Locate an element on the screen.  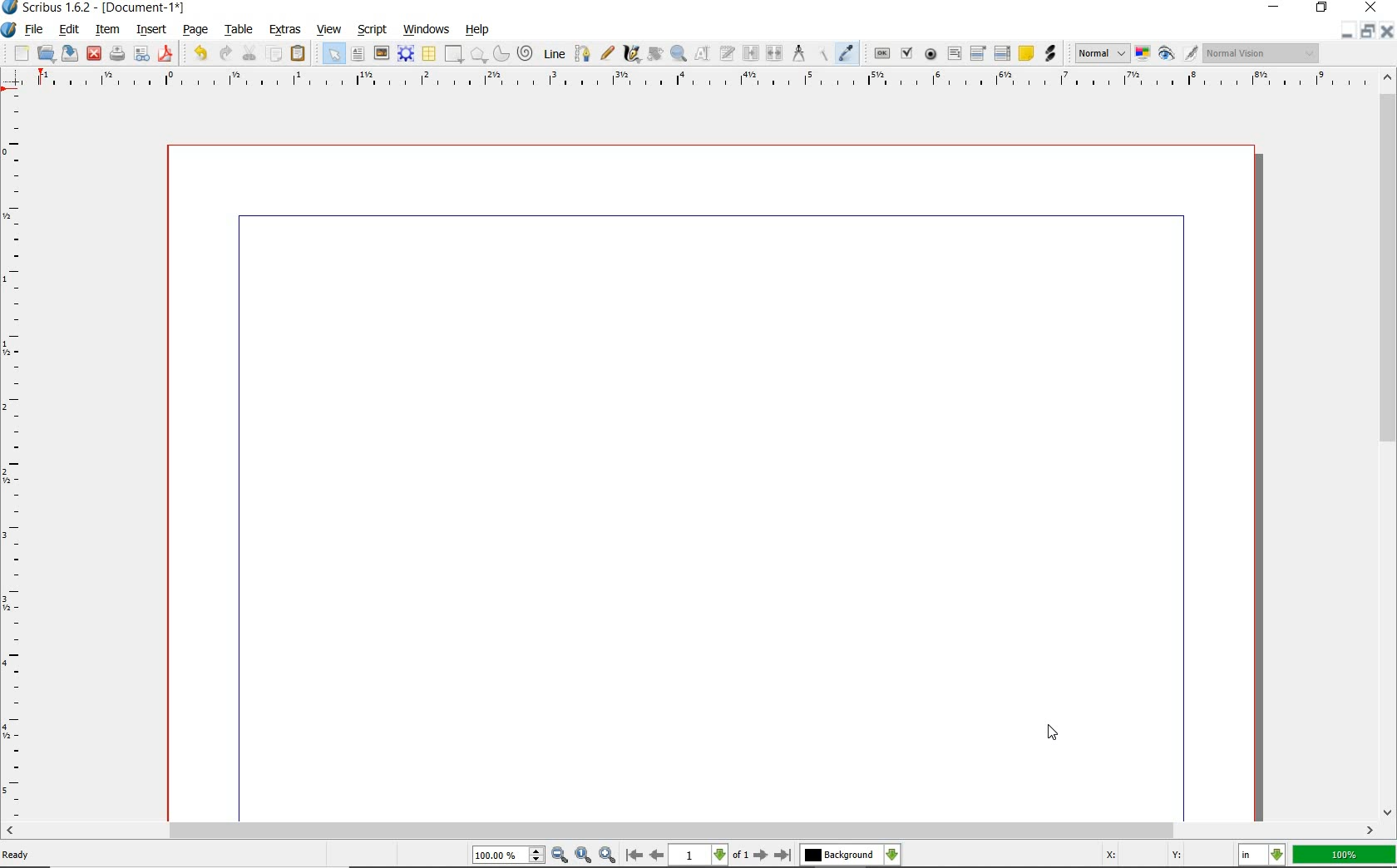
zoom factor is located at coordinates (1345, 856).